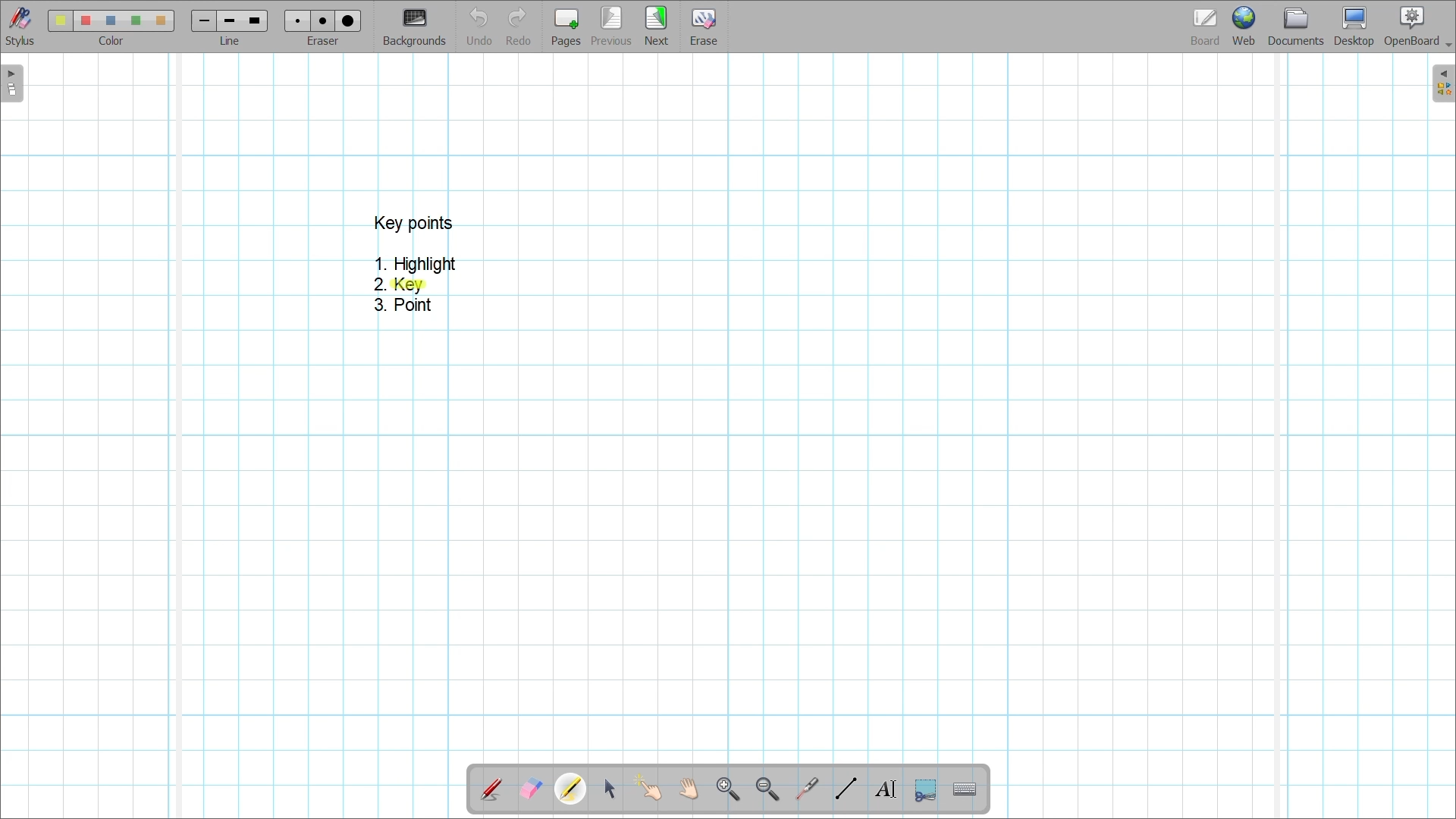  What do you see at coordinates (566, 27) in the screenshot?
I see `Add page` at bounding box center [566, 27].